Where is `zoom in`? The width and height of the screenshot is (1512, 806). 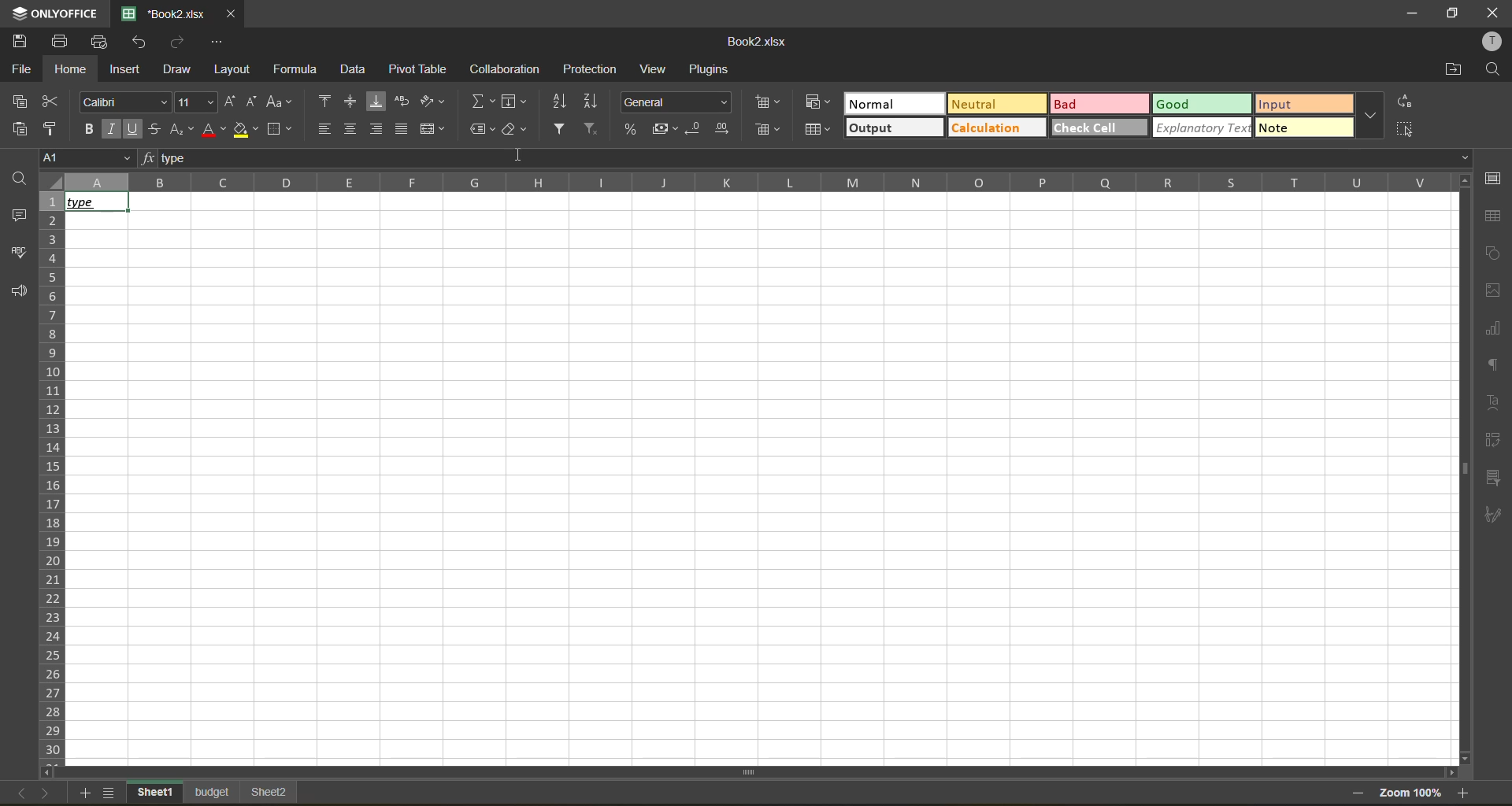
zoom in is located at coordinates (1467, 793).